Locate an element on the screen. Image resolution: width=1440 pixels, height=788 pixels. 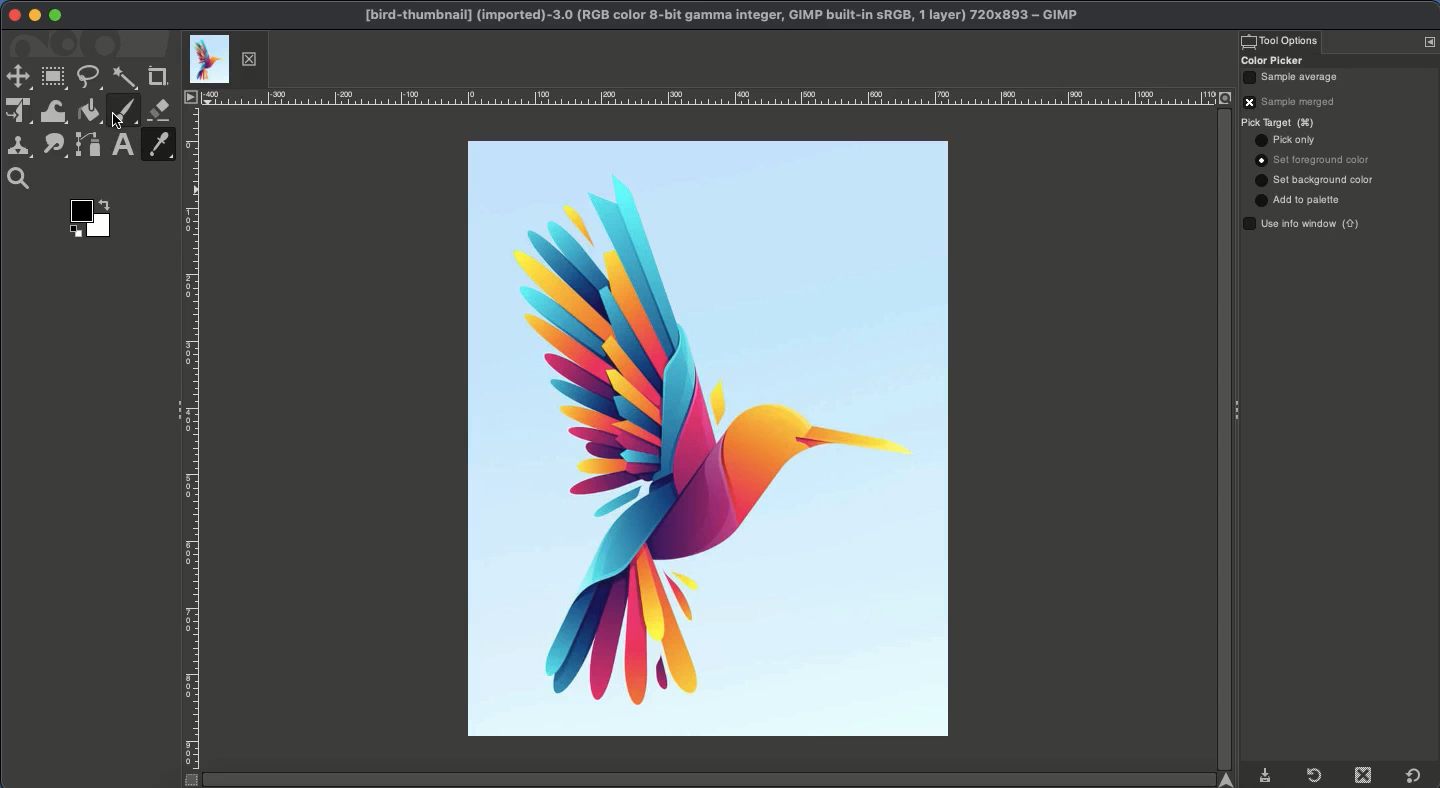
Paintbrush is located at coordinates (123, 111).